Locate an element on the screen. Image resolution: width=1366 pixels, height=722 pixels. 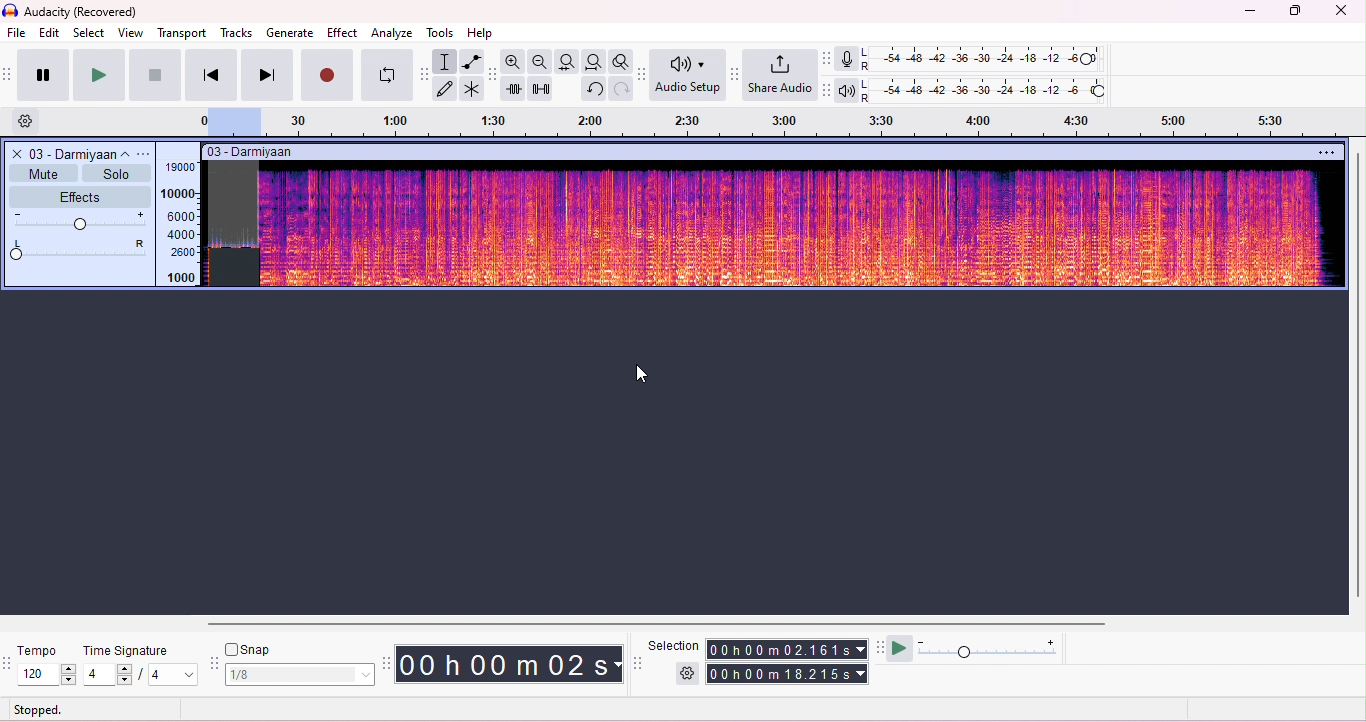
analyze is located at coordinates (391, 33).